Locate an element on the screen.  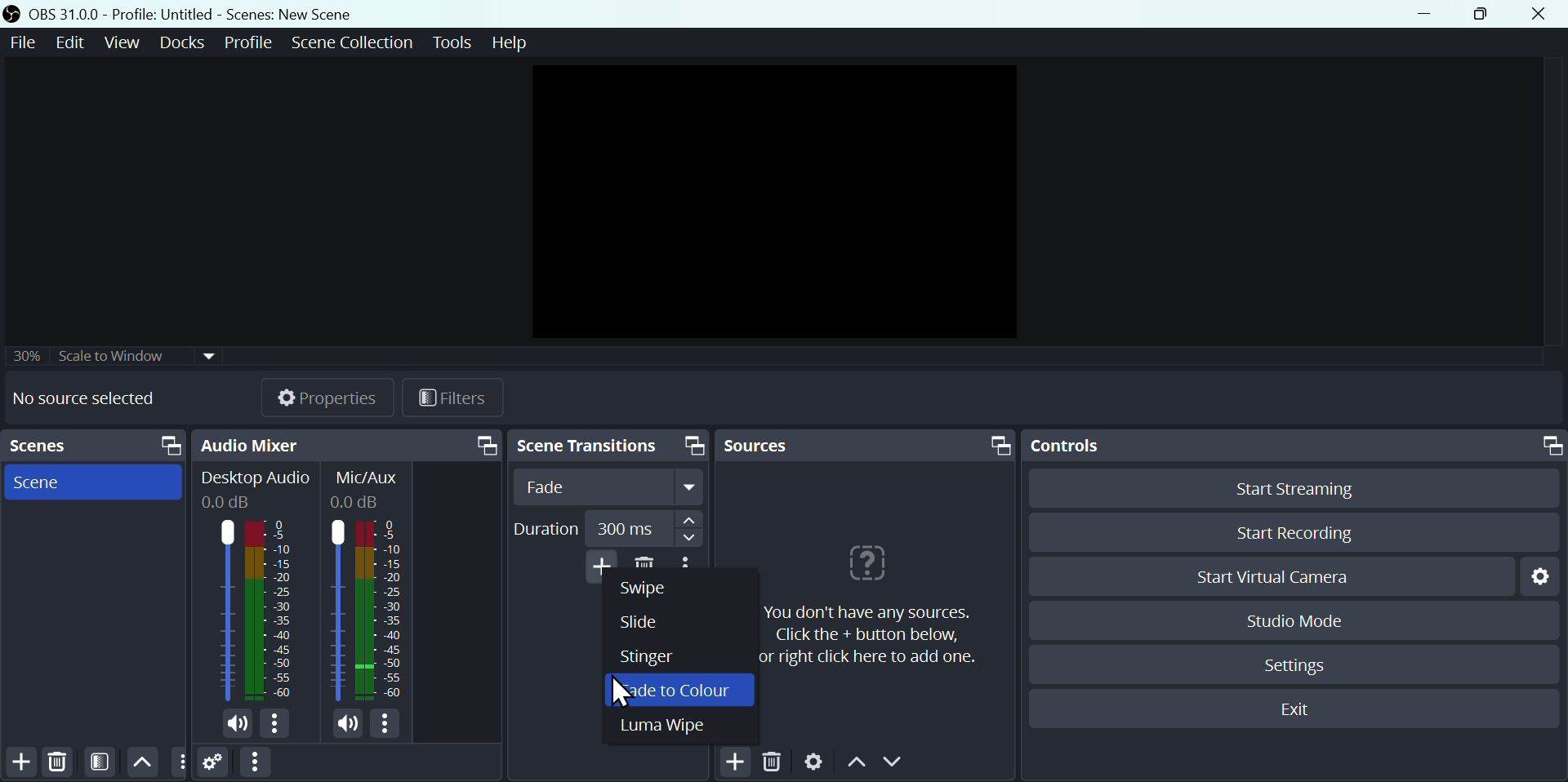
Delete is located at coordinates (56, 761).